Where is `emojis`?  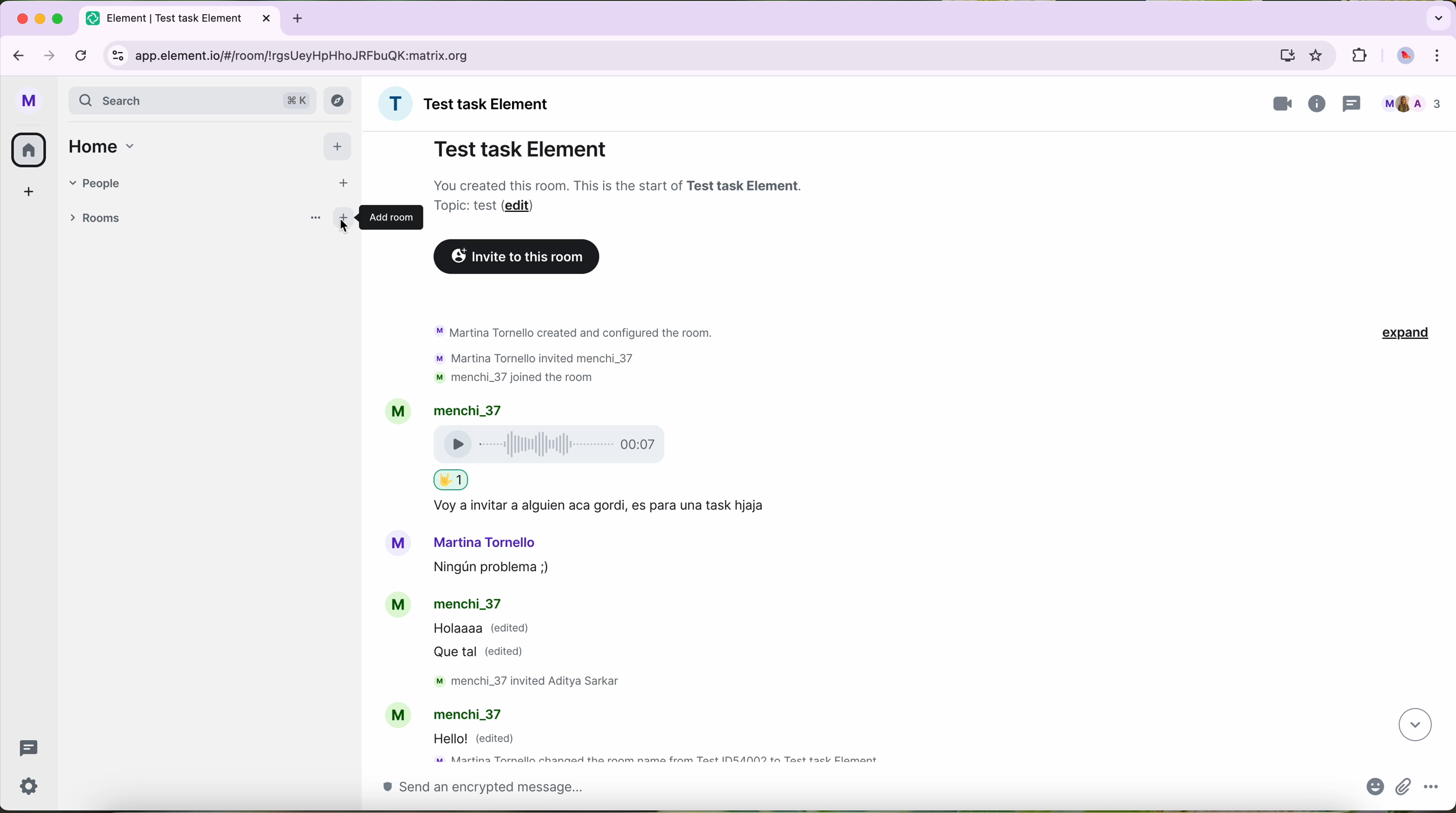
emojis is located at coordinates (1372, 790).